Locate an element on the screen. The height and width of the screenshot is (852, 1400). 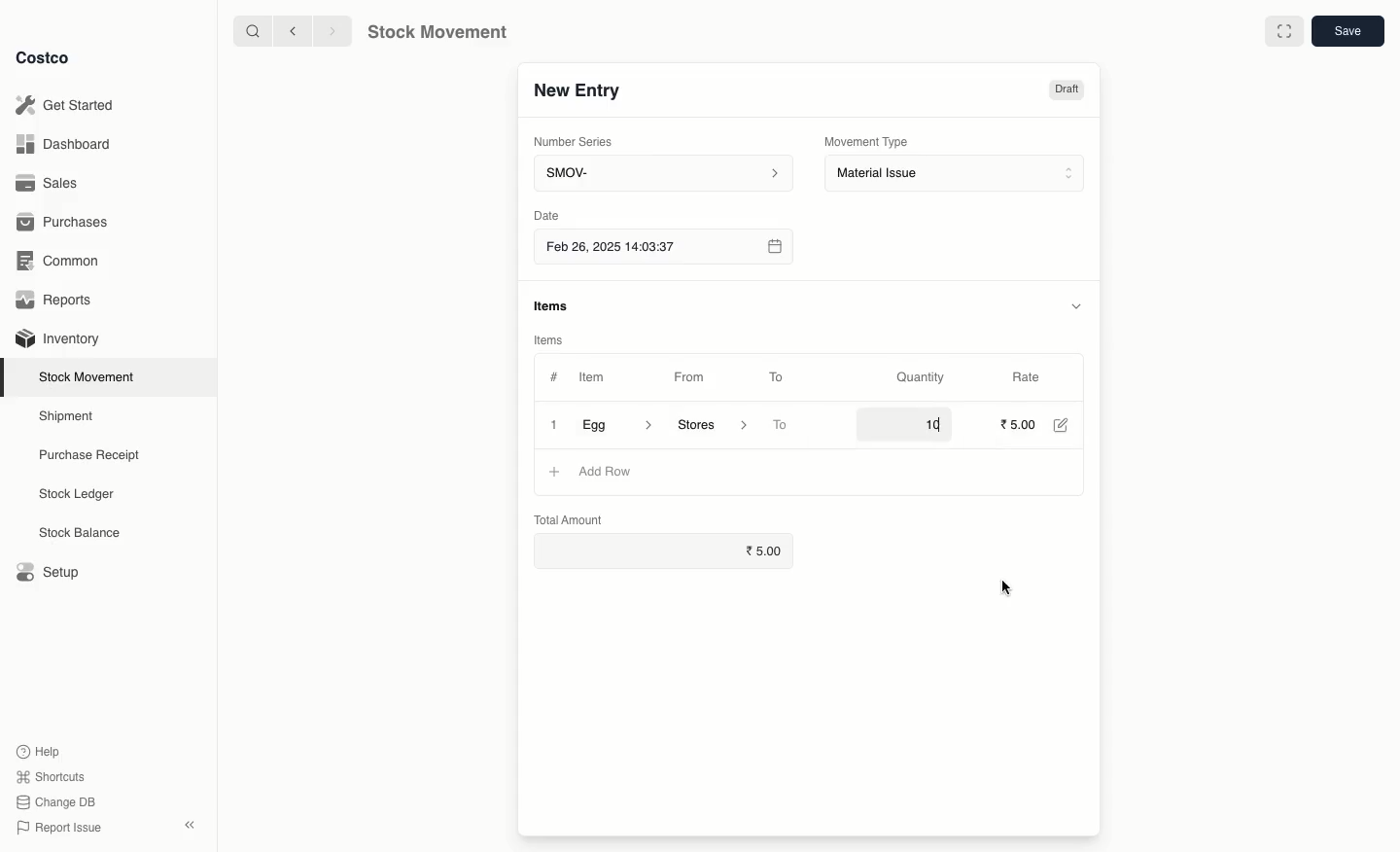
Stock Movement is located at coordinates (90, 376).